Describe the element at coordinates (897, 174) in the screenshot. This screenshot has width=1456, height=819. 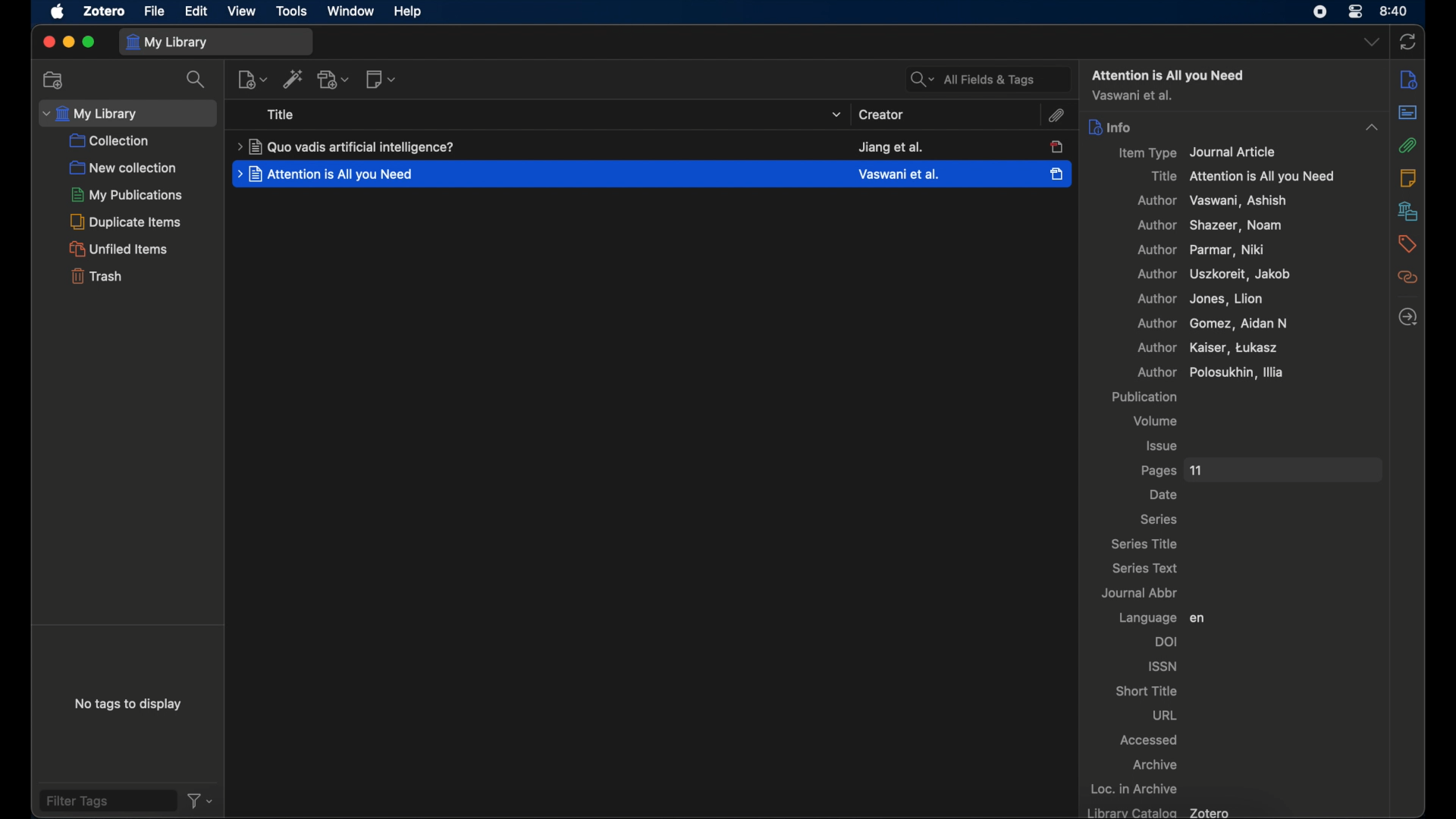
I see `creator creator name` at that location.